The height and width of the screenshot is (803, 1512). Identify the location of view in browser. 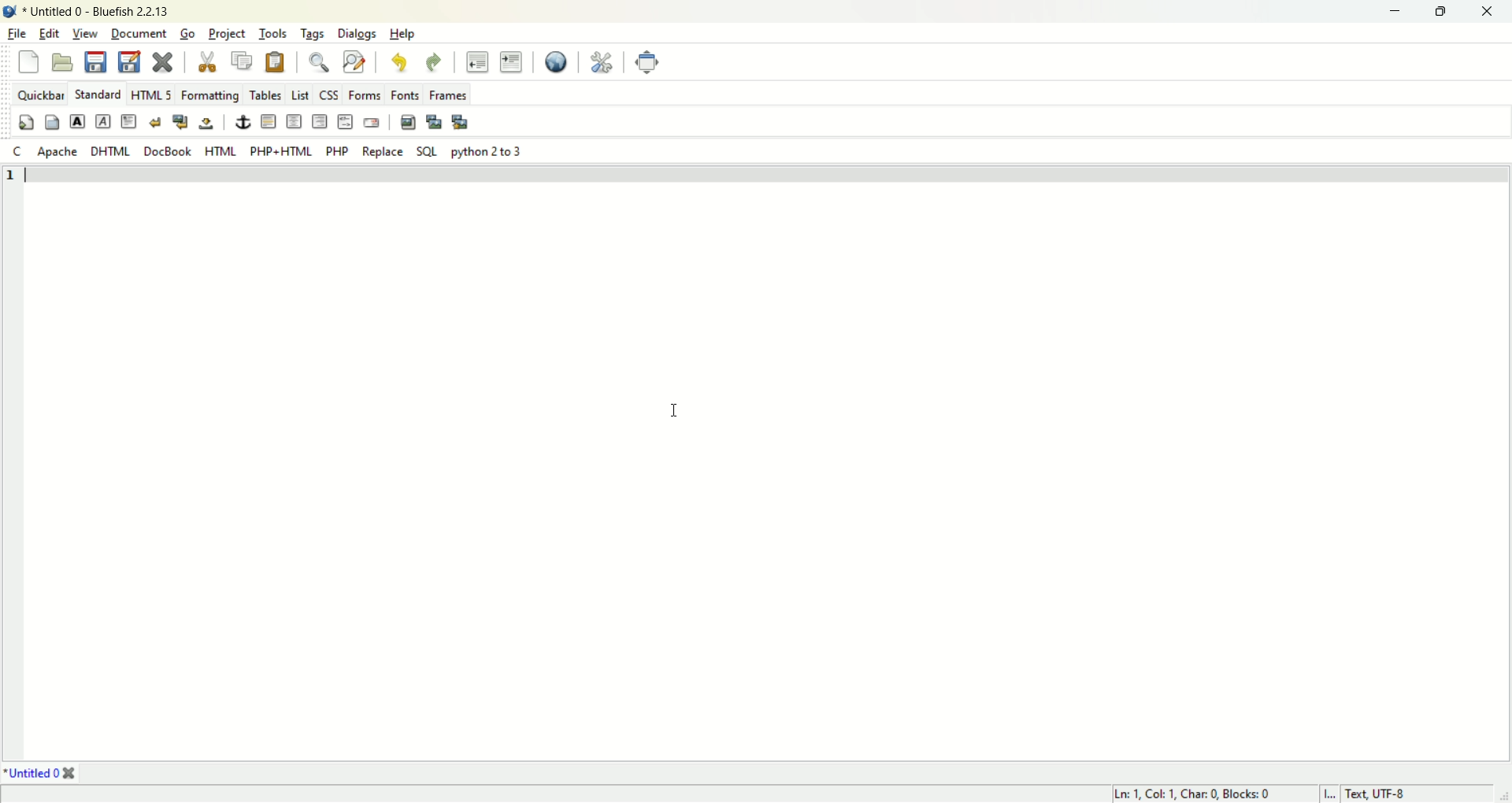
(553, 63).